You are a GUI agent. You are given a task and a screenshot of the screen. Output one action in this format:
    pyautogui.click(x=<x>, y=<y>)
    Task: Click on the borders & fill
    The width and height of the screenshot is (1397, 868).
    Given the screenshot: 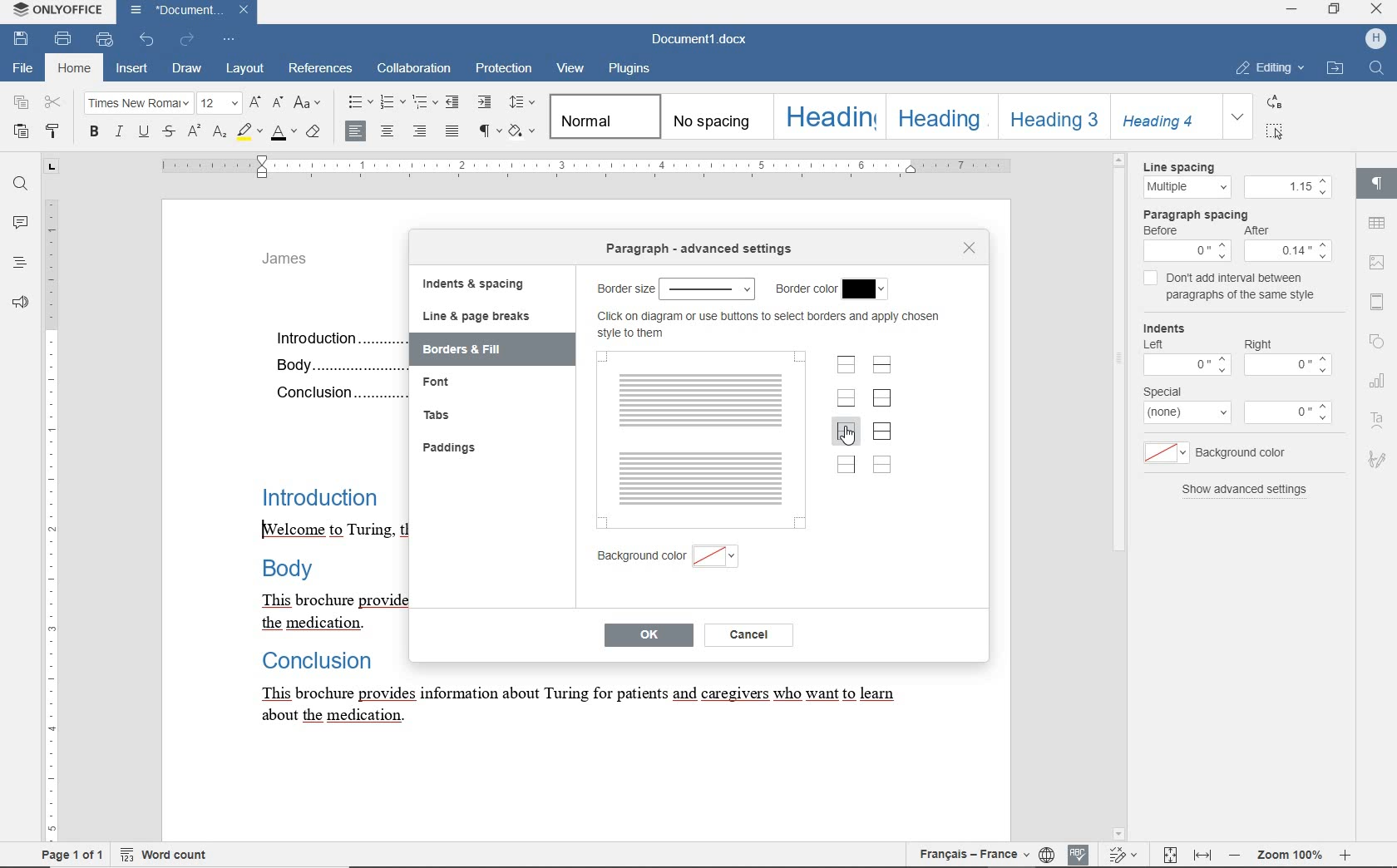 What is the action you would take?
    pyautogui.click(x=483, y=349)
    